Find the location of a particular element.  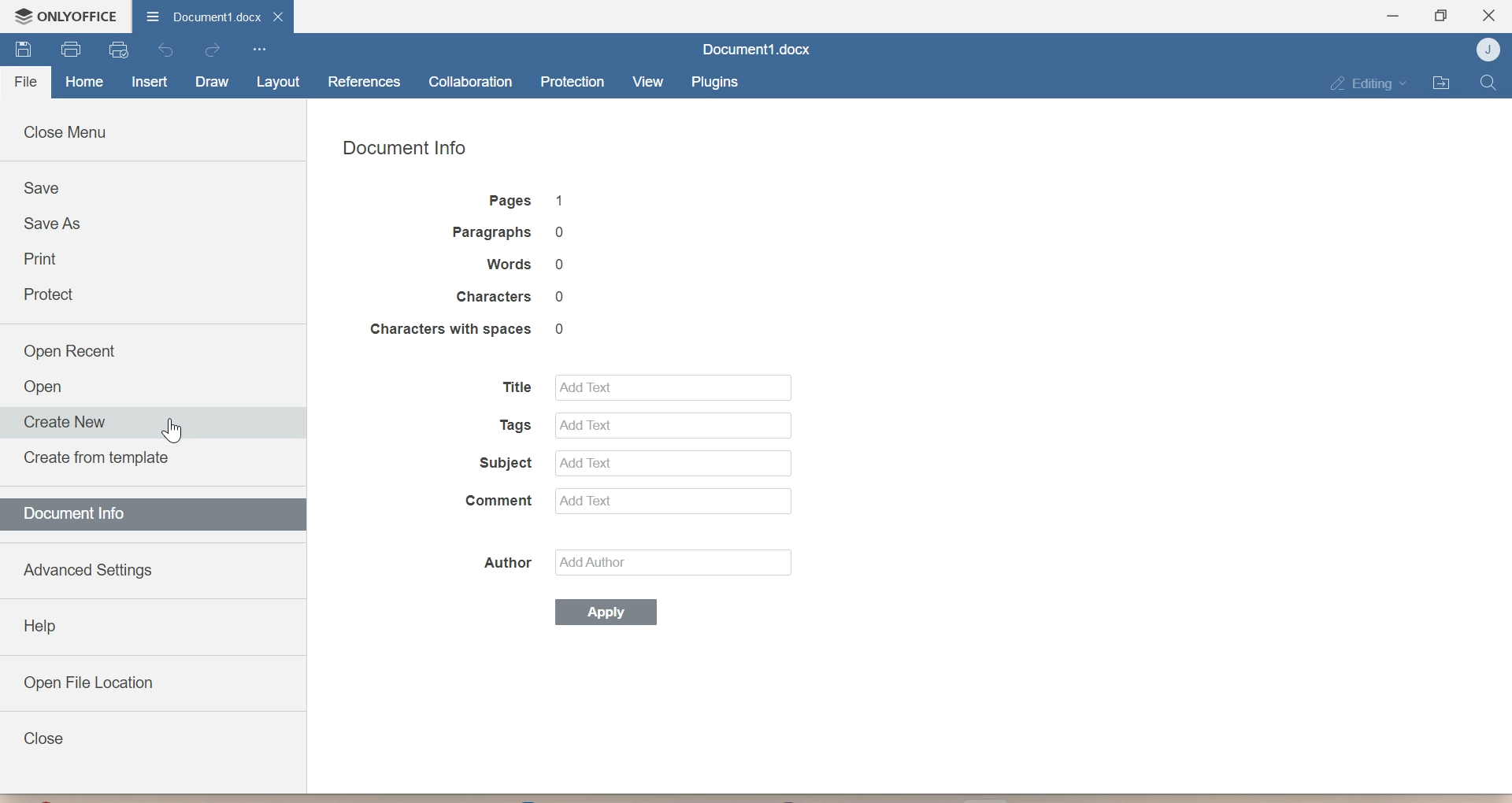

Title is located at coordinates (513, 388).